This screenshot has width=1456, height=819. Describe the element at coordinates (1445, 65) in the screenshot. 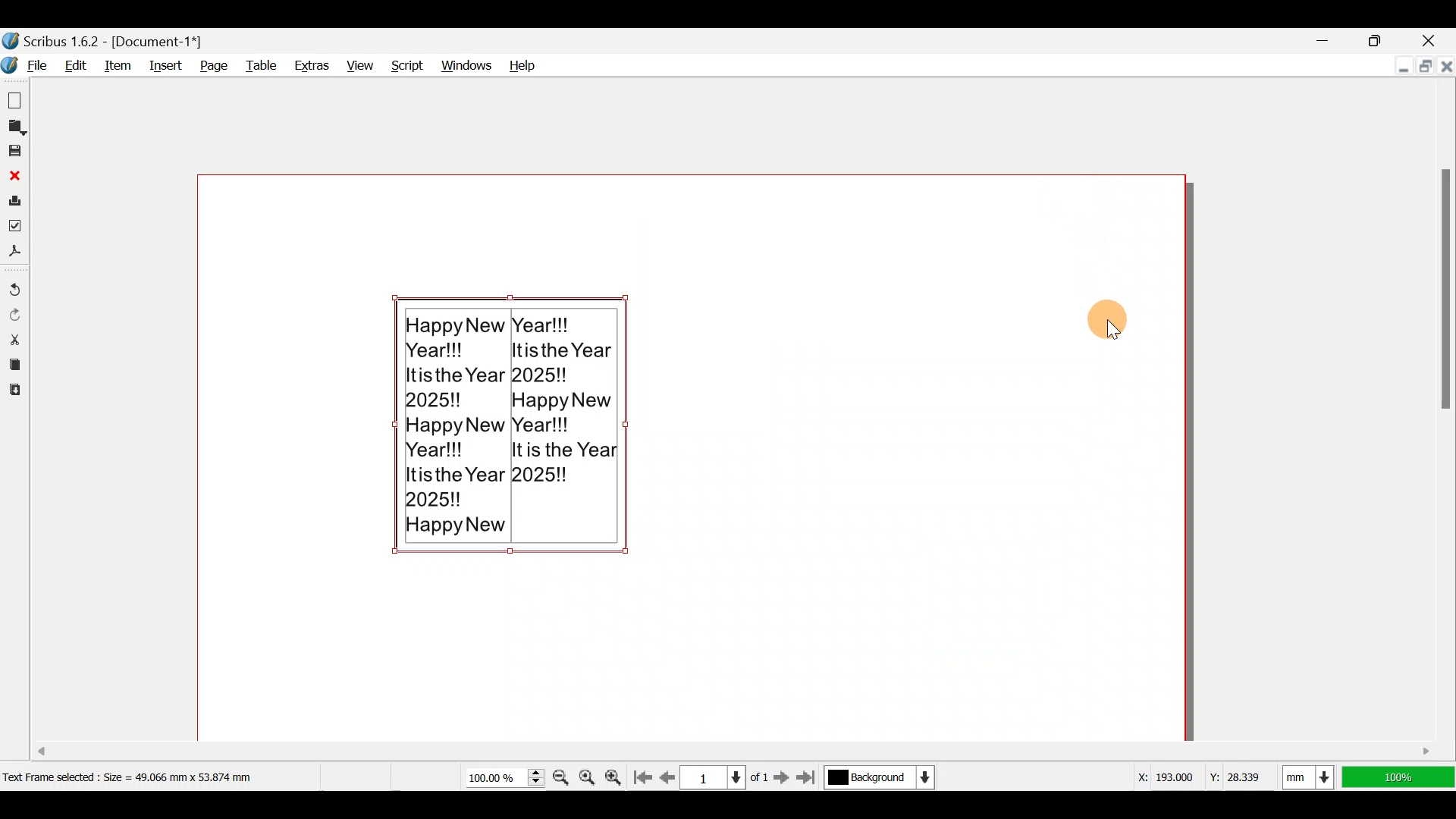

I see `Close` at that location.